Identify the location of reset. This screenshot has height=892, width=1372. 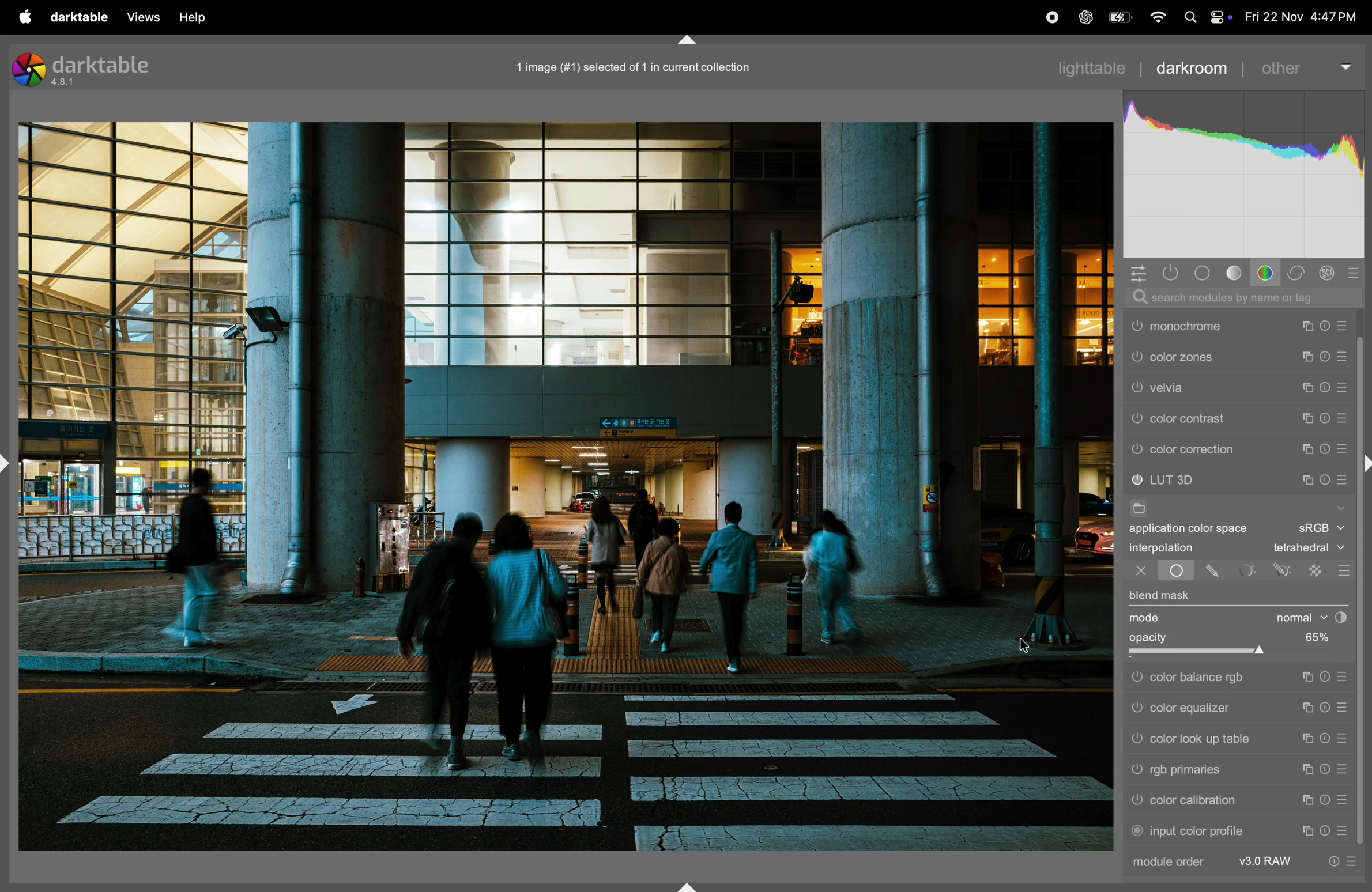
(1327, 710).